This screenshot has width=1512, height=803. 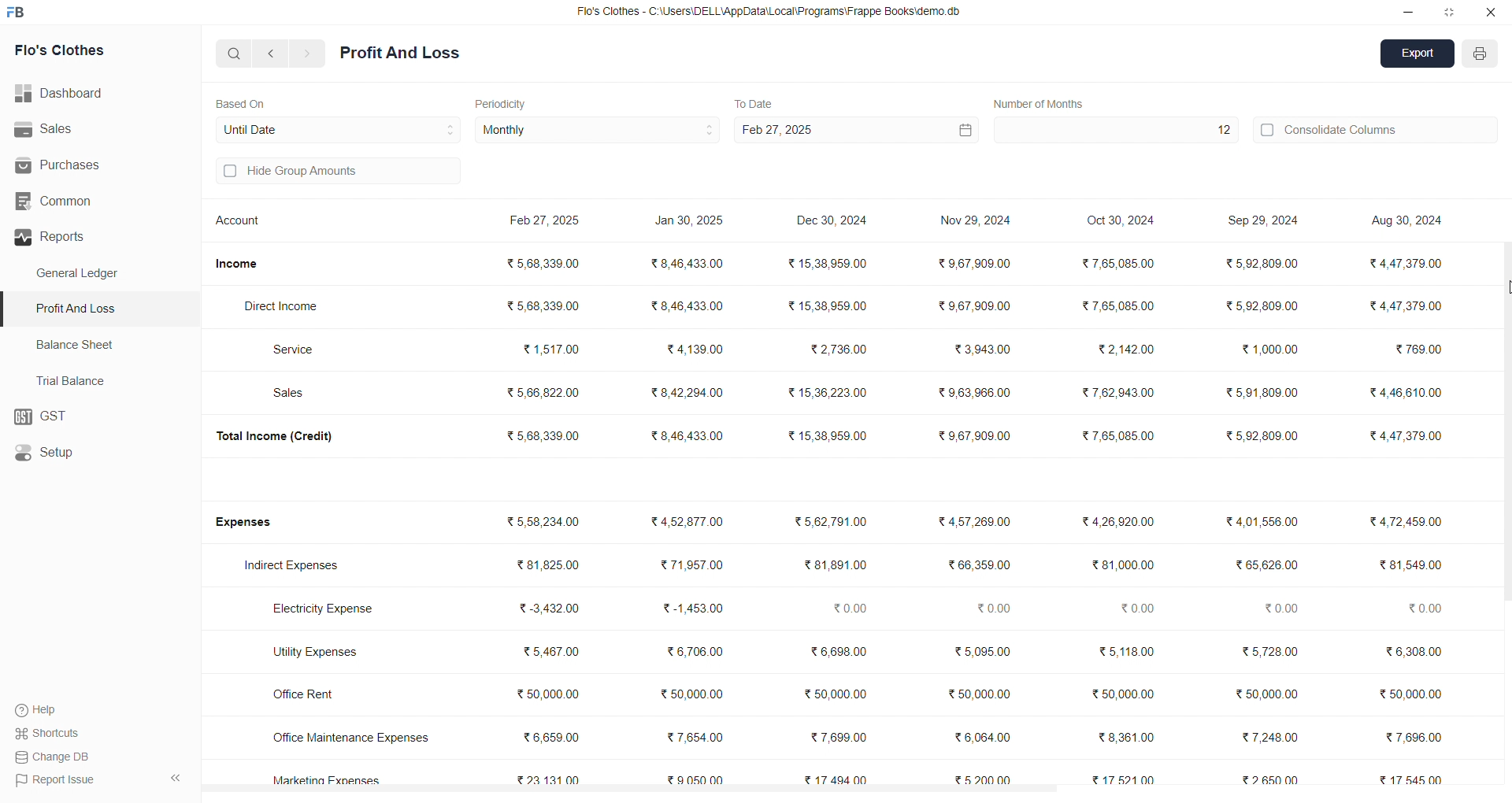 What do you see at coordinates (1408, 649) in the screenshot?
I see `6,308.00` at bounding box center [1408, 649].